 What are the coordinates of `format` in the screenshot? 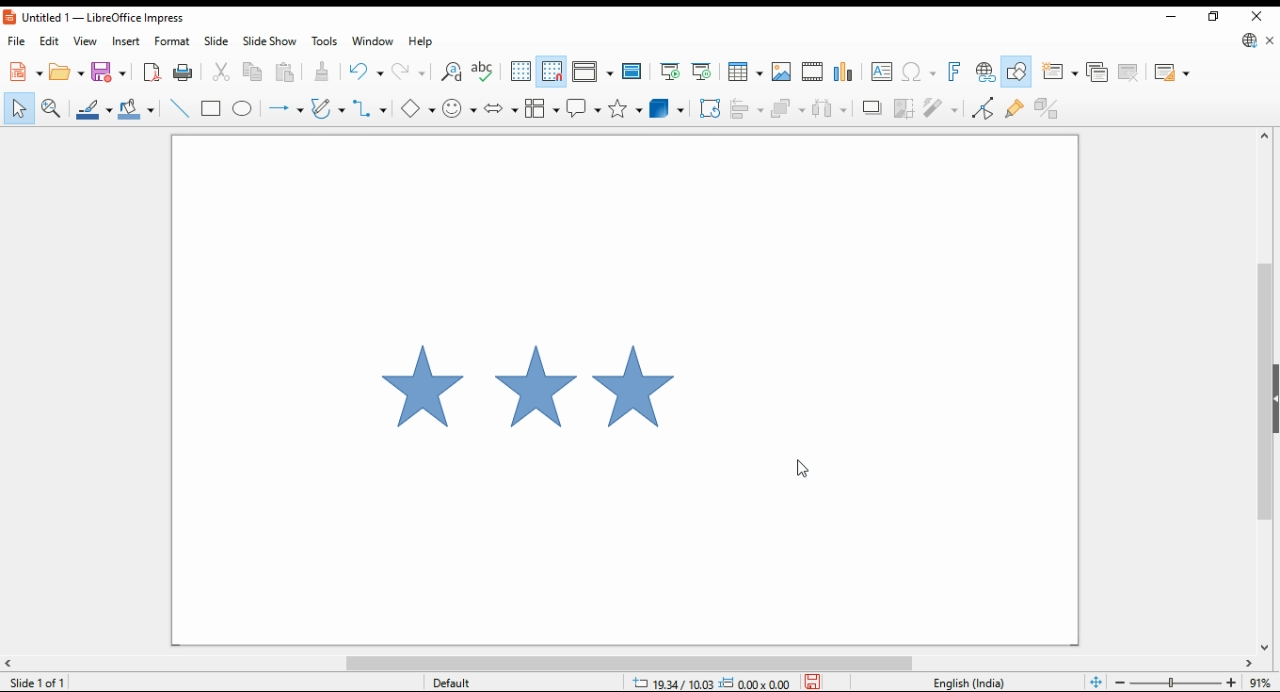 It's located at (174, 40).